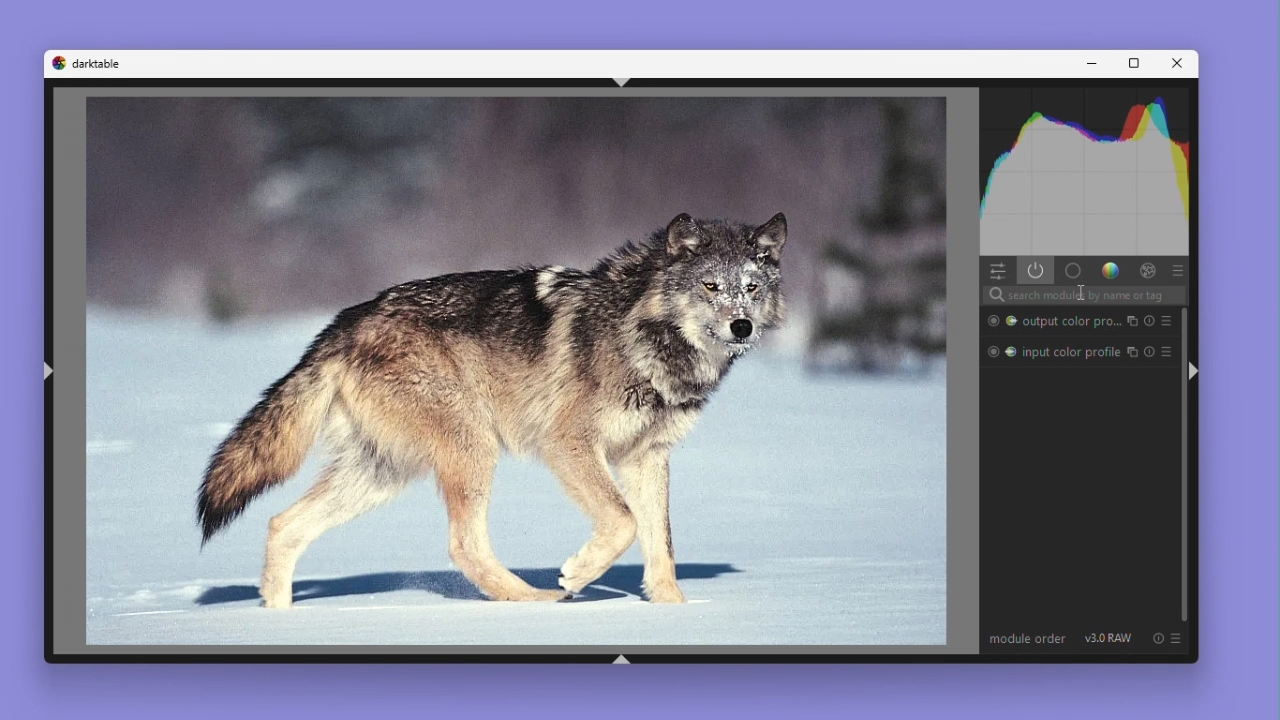 The height and width of the screenshot is (720, 1280). Describe the element at coordinates (50, 371) in the screenshot. I see `shift+ctrl+l` at that location.